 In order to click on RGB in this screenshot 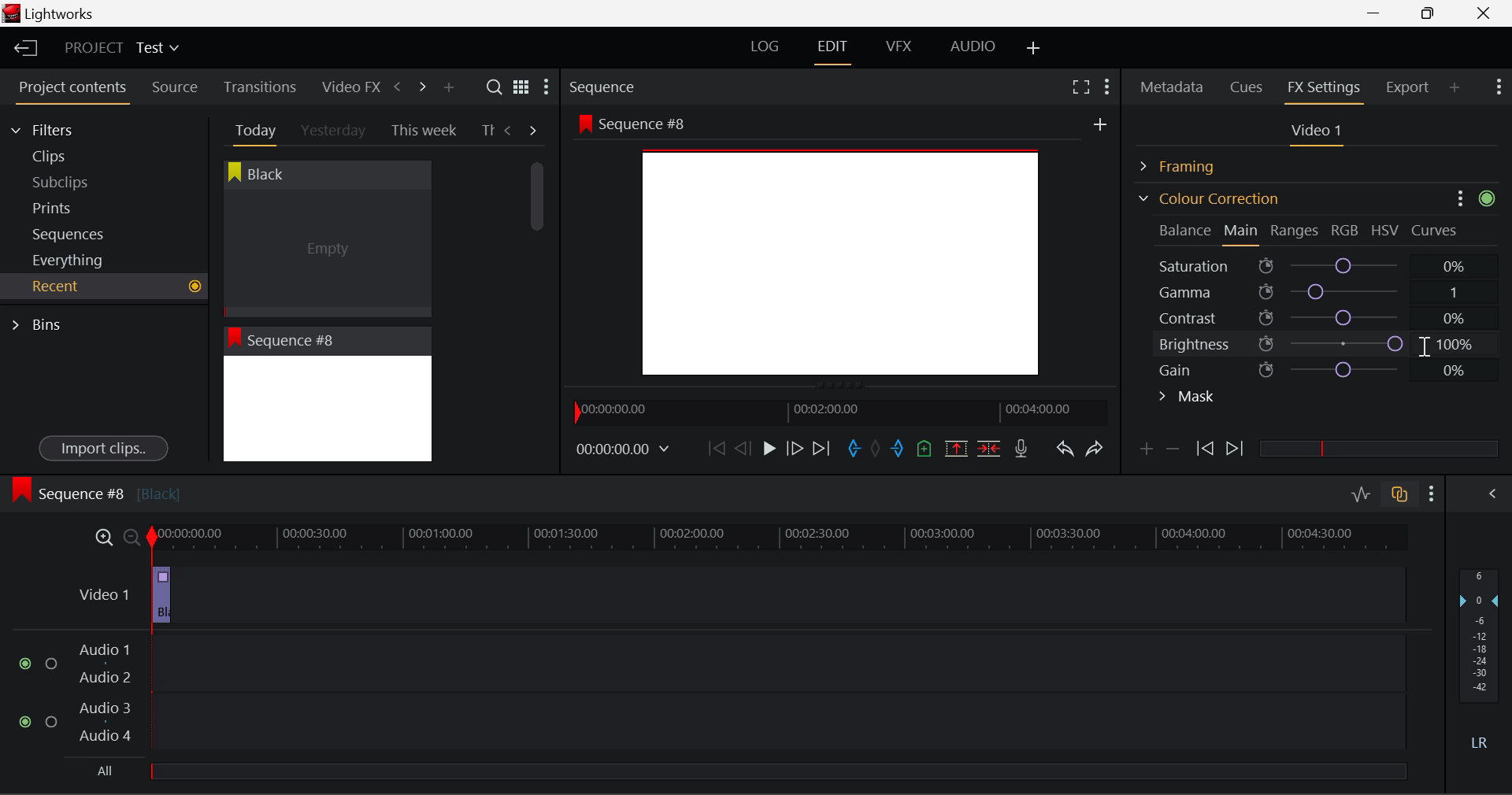, I will do `click(1346, 231)`.